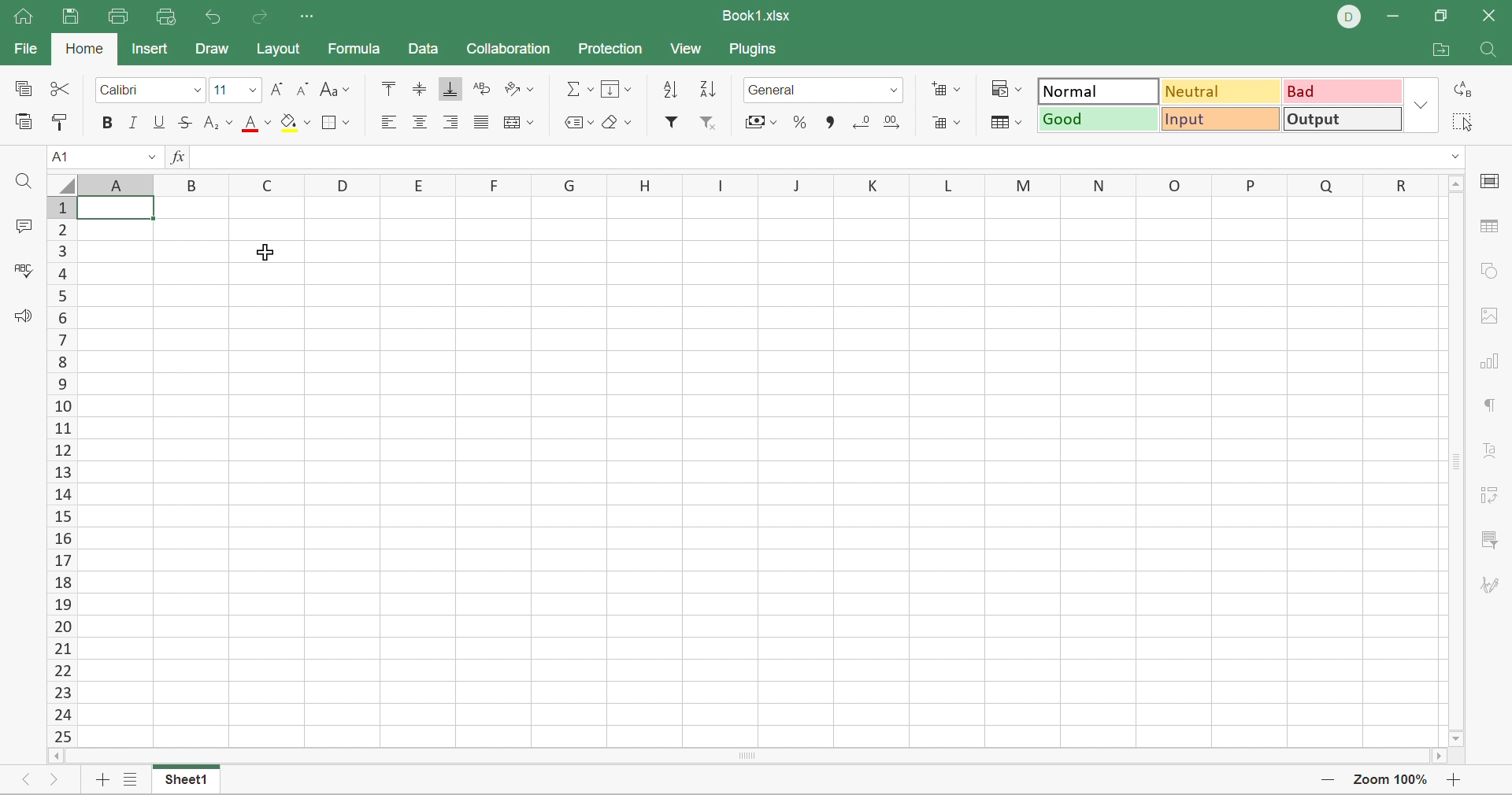 This screenshot has width=1512, height=795. I want to click on Bad, so click(1341, 91).